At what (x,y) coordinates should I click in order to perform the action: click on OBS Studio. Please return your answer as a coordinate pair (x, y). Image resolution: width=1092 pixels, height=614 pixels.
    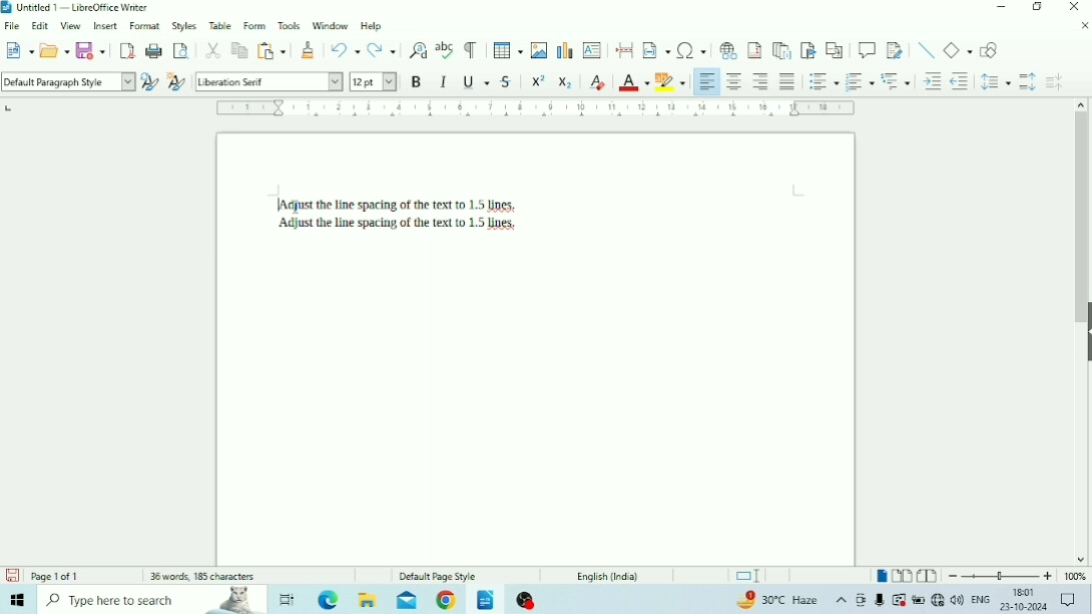
    Looking at the image, I should click on (527, 600).